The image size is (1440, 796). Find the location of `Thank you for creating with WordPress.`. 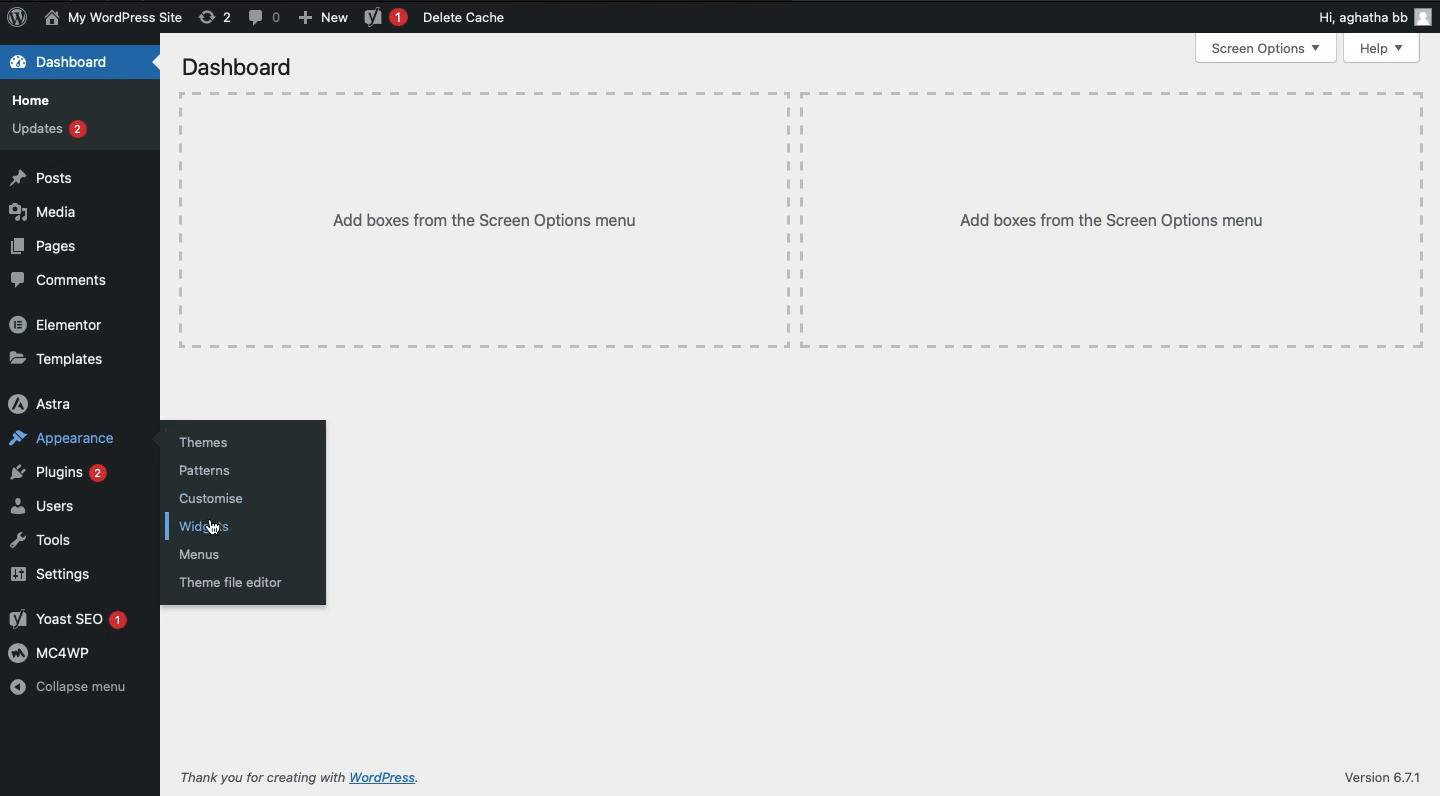

Thank you for creating with WordPress. is located at coordinates (317, 779).